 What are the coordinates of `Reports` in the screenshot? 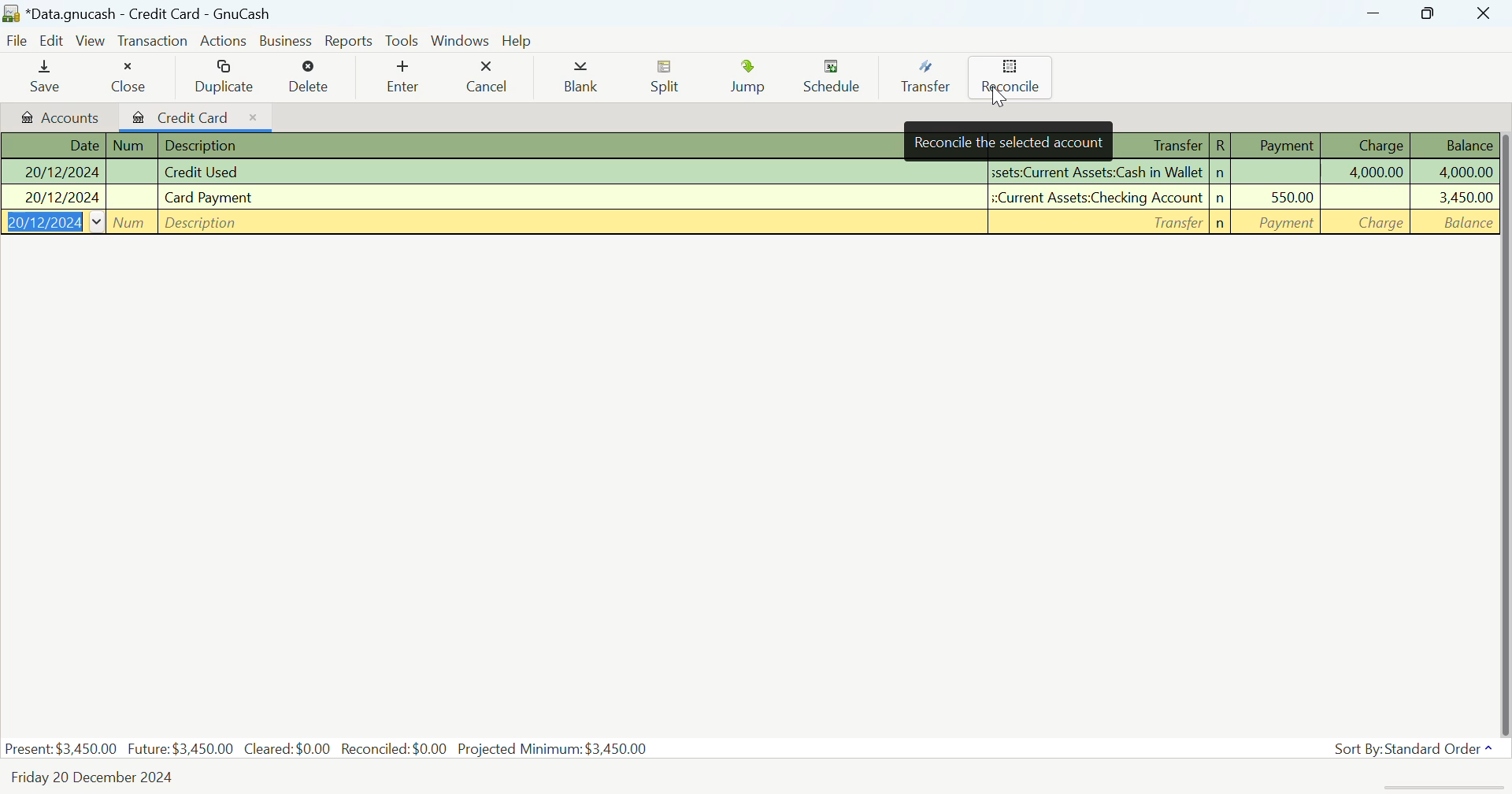 It's located at (350, 39).